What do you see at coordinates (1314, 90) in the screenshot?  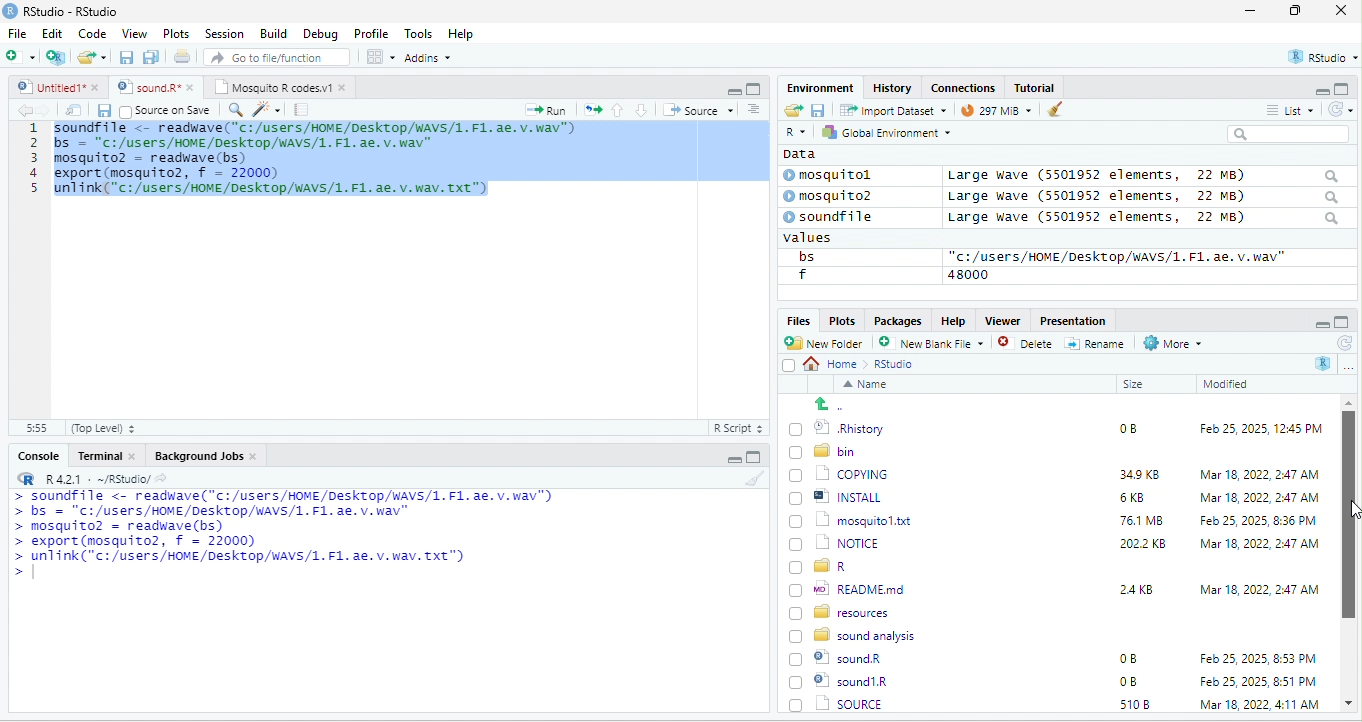 I see `minimize` at bounding box center [1314, 90].